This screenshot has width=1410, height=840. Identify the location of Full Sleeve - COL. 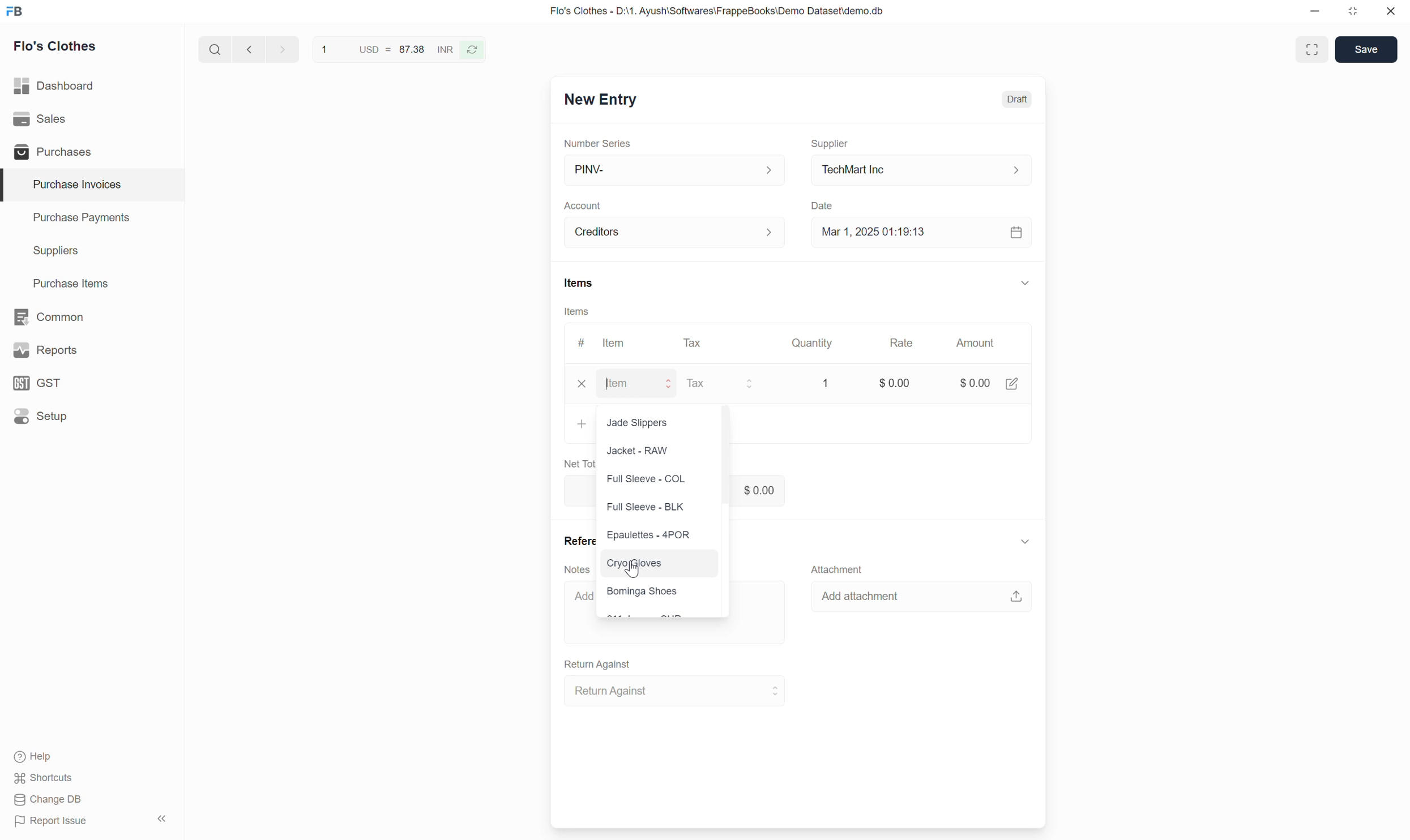
(644, 478).